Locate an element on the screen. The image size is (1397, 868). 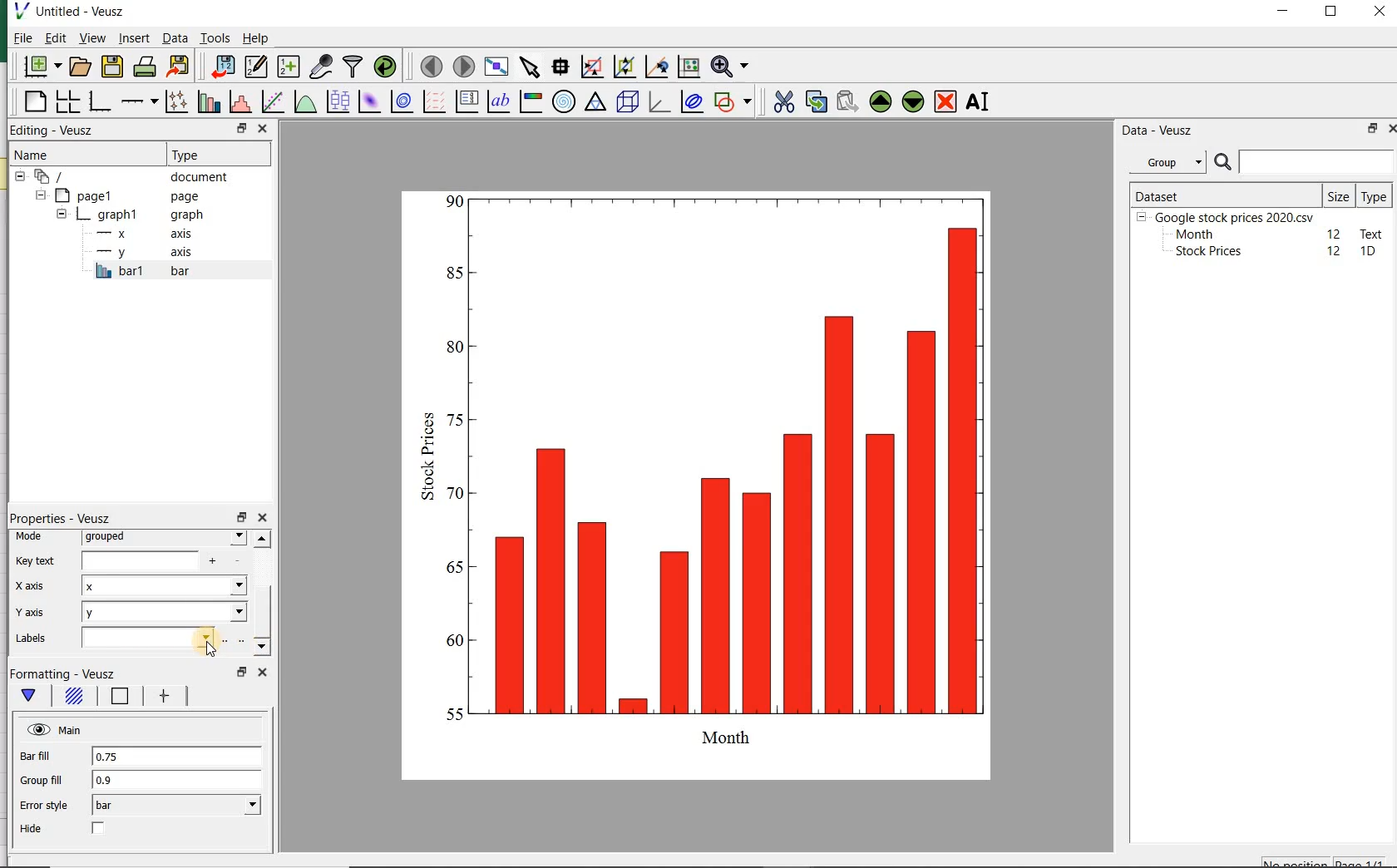
x-axis is located at coordinates (32, 587).